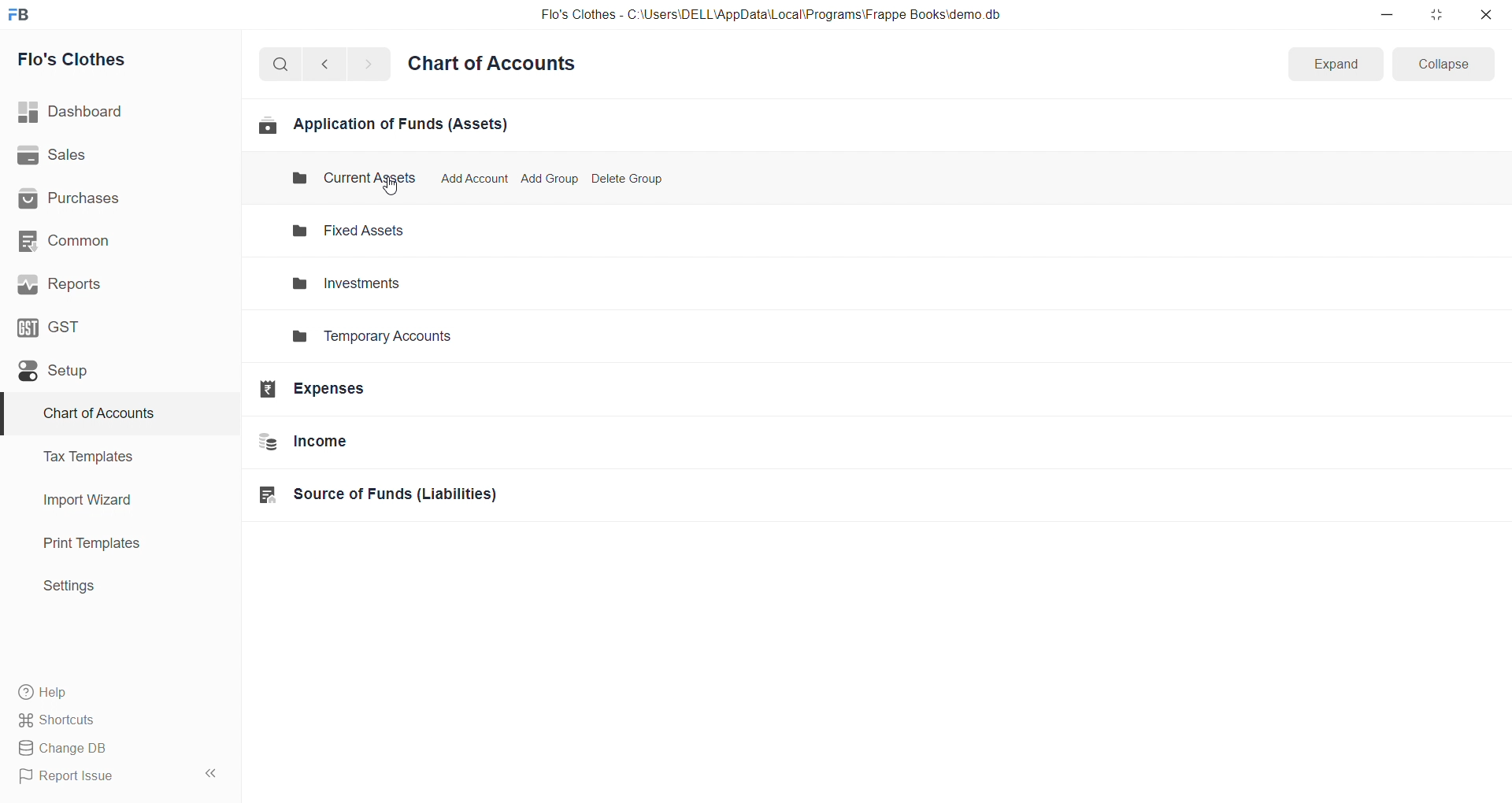  What do you see at coordinates (364, 283) in the screenshot?
I see `Investments` at bounding box center [364, 283].